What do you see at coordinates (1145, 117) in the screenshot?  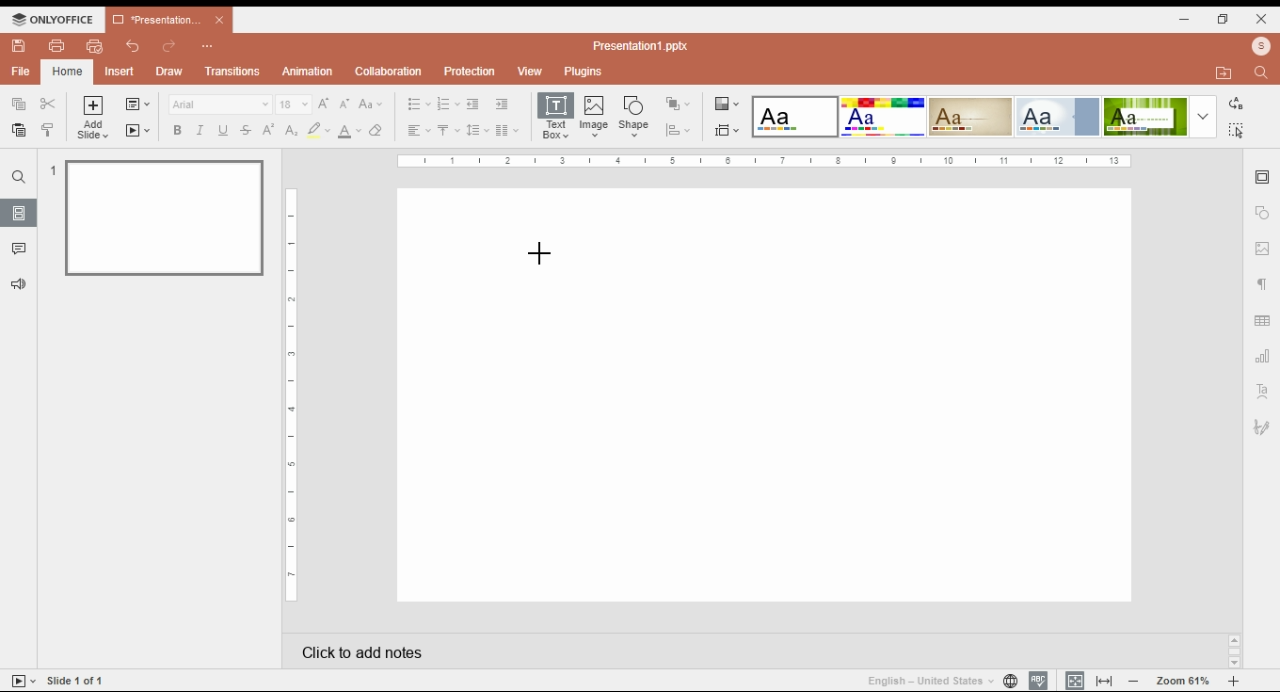 I see `color theme` at bounding box center [1145, 117].